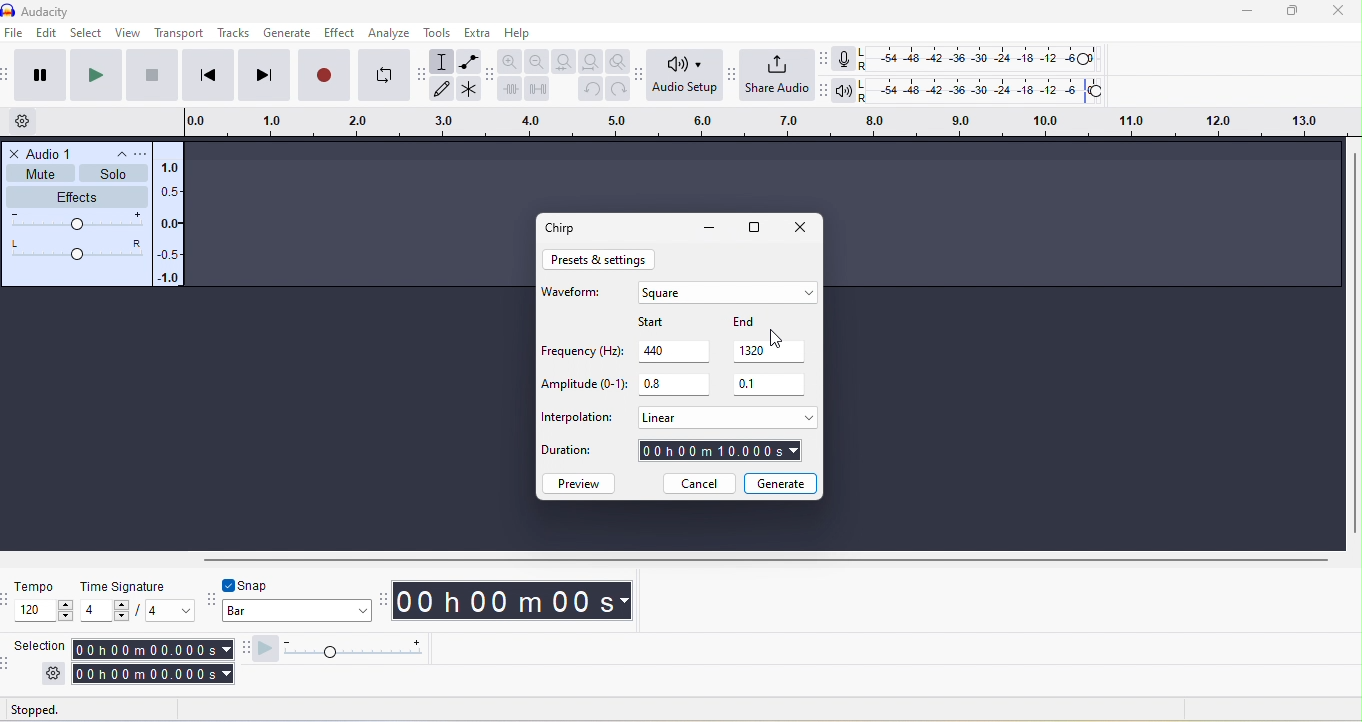 This screenshot has width=1362, height=722. I want to click on click and drag to define a looping region, so click(760, 120).